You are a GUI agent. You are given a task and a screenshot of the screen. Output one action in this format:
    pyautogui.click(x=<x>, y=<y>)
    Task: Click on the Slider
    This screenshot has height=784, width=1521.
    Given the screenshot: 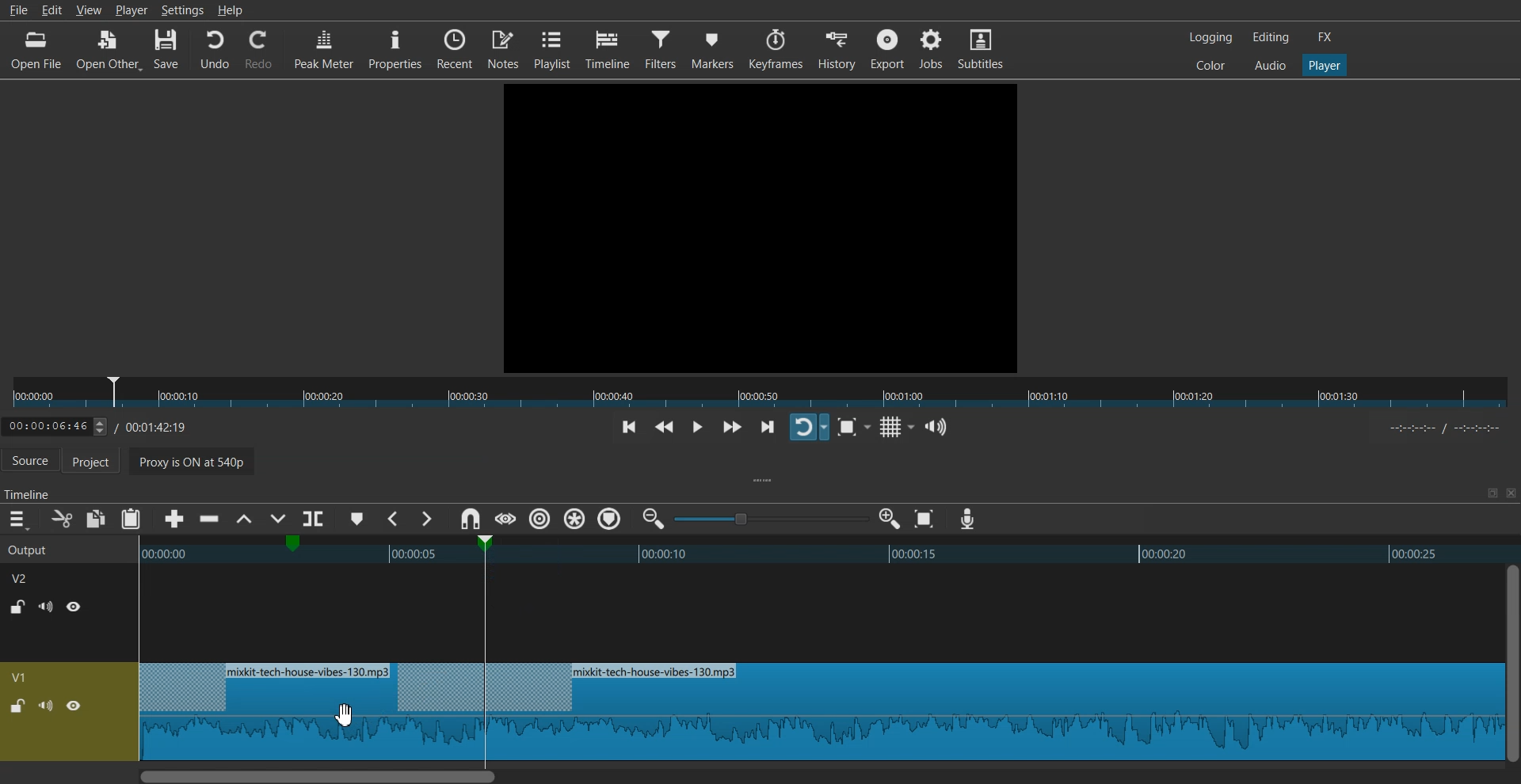 What is the action you would take?
    pyautogui.click(x=760, y=393)
    